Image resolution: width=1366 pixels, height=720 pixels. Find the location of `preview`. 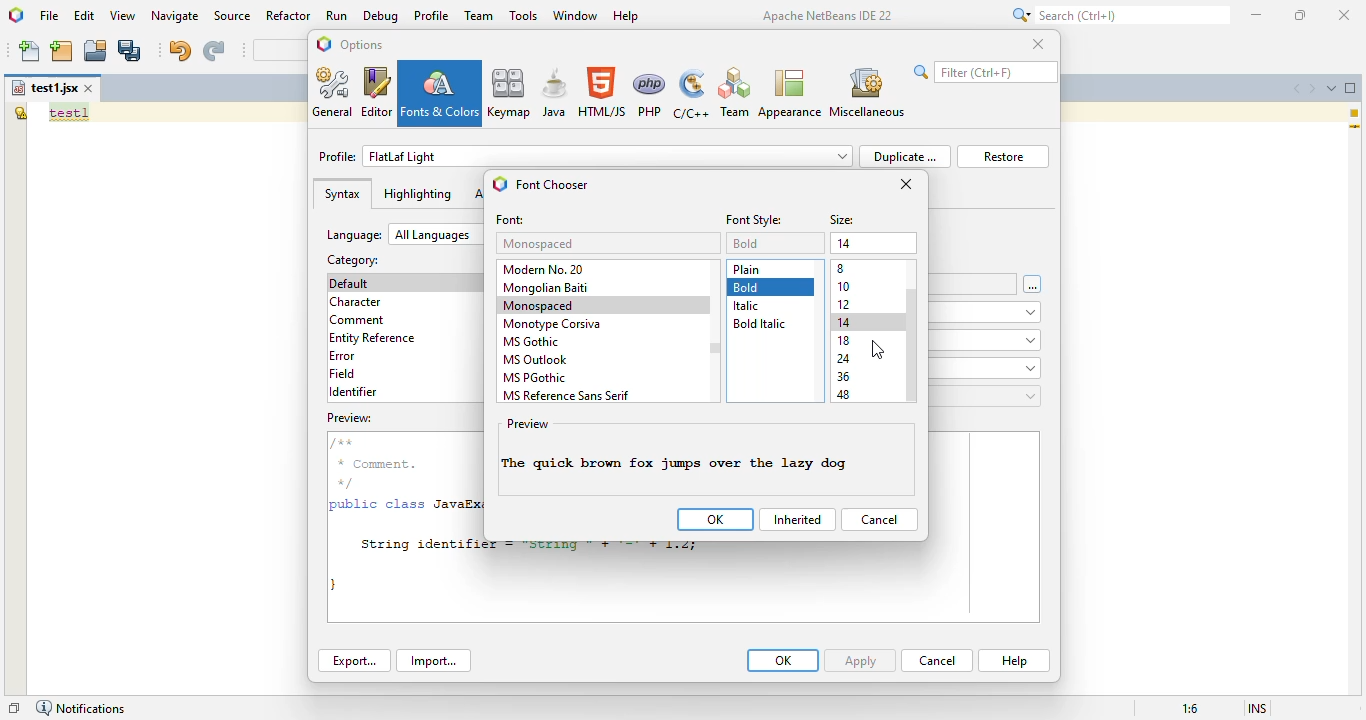

preview is located at coordinates (528, 424).